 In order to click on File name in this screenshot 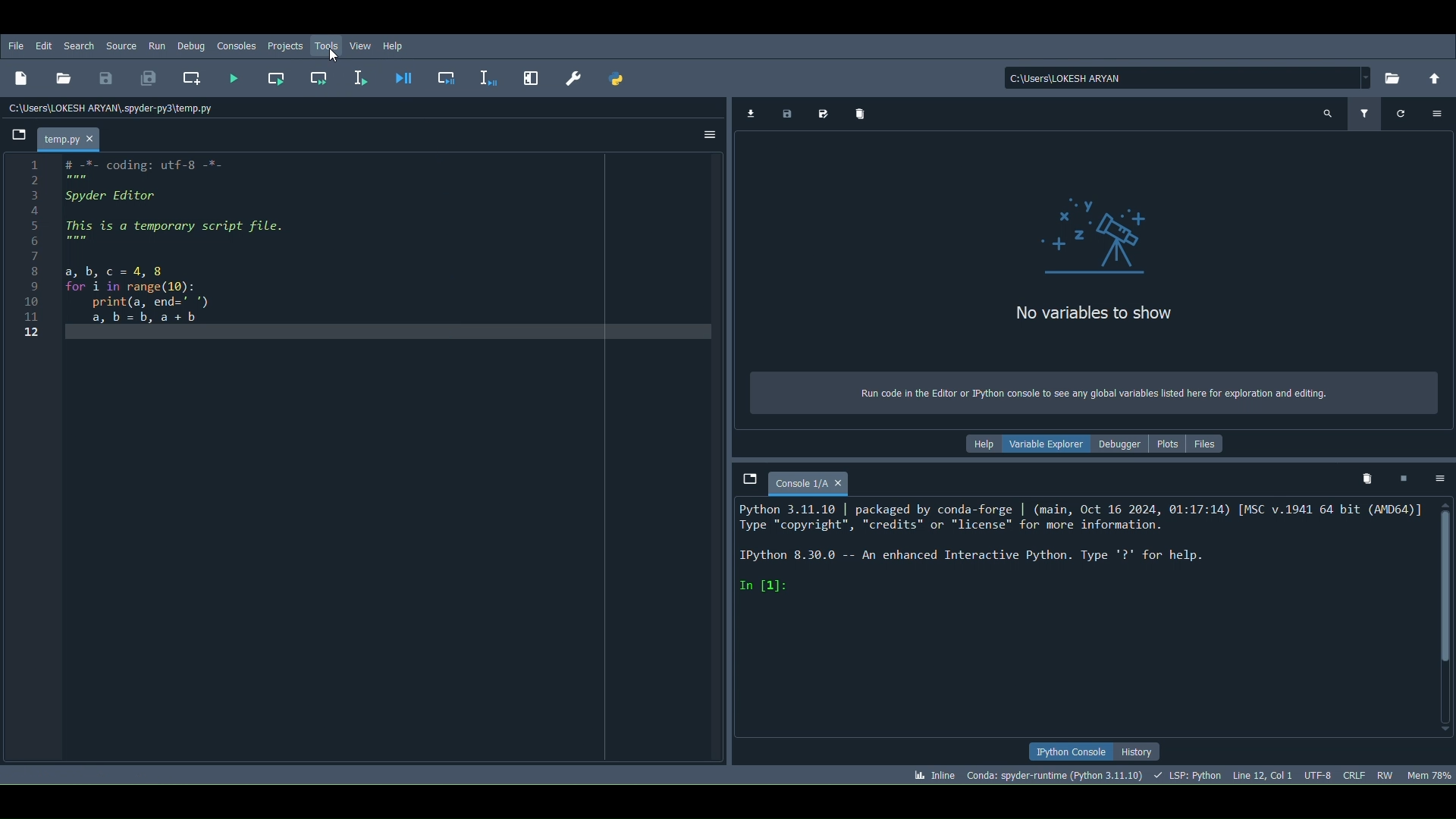, I will do `click(72, 137)`.